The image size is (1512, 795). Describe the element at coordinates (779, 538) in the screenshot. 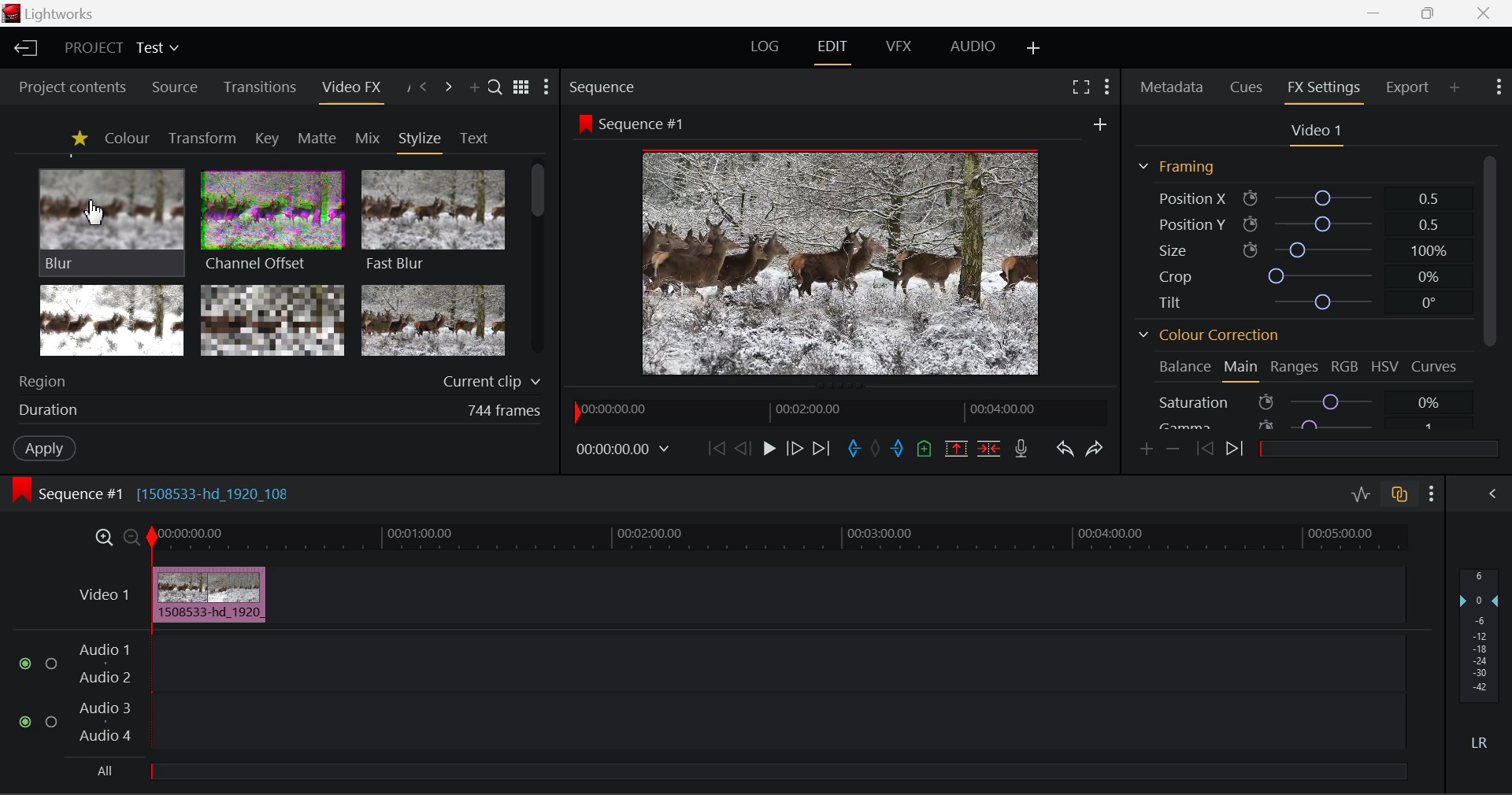

I see `Project Timeline` at that location.